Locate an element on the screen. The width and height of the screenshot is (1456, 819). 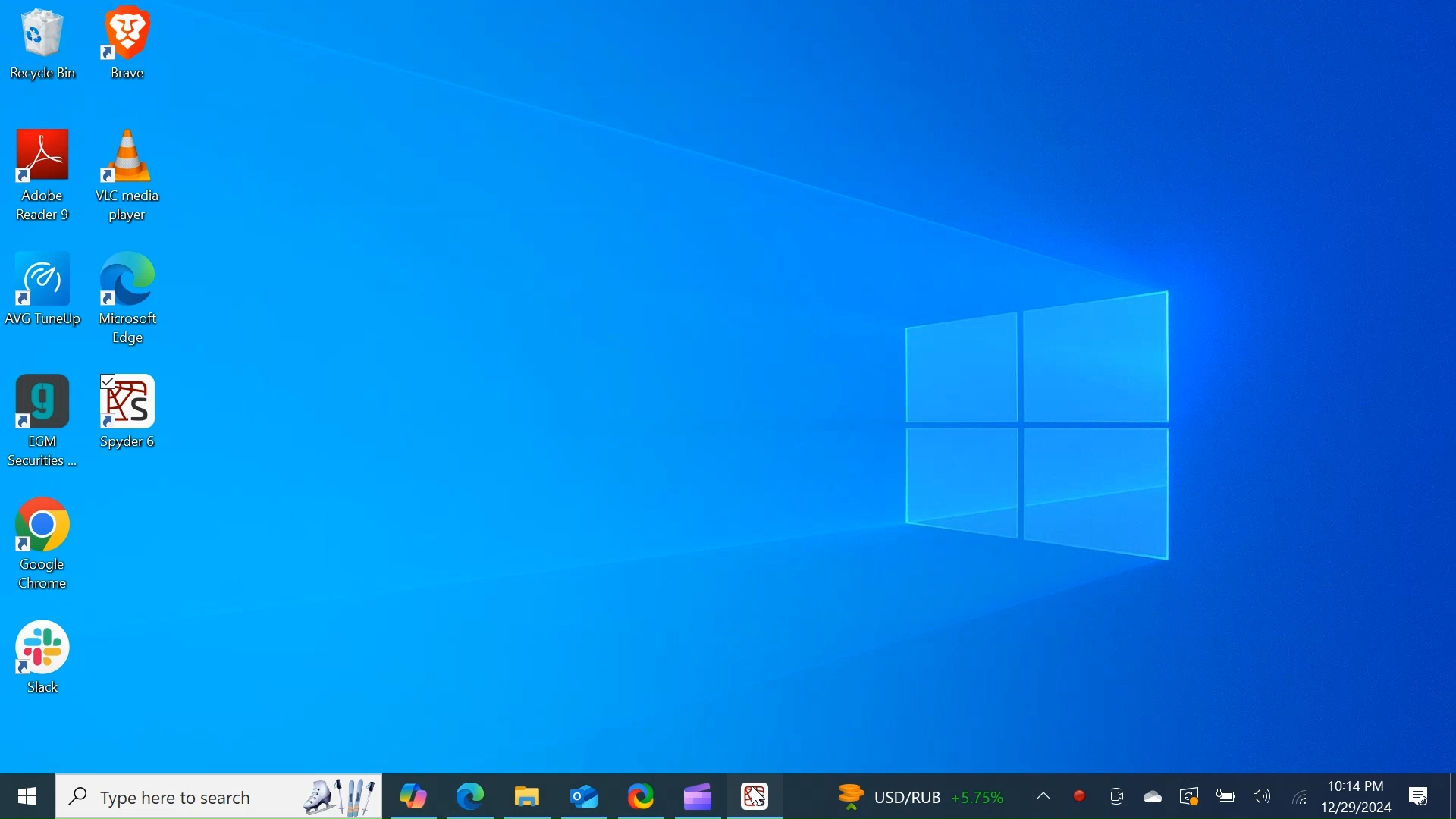
EGM Securities Desktop Icon is located at coordinates (42, 424).